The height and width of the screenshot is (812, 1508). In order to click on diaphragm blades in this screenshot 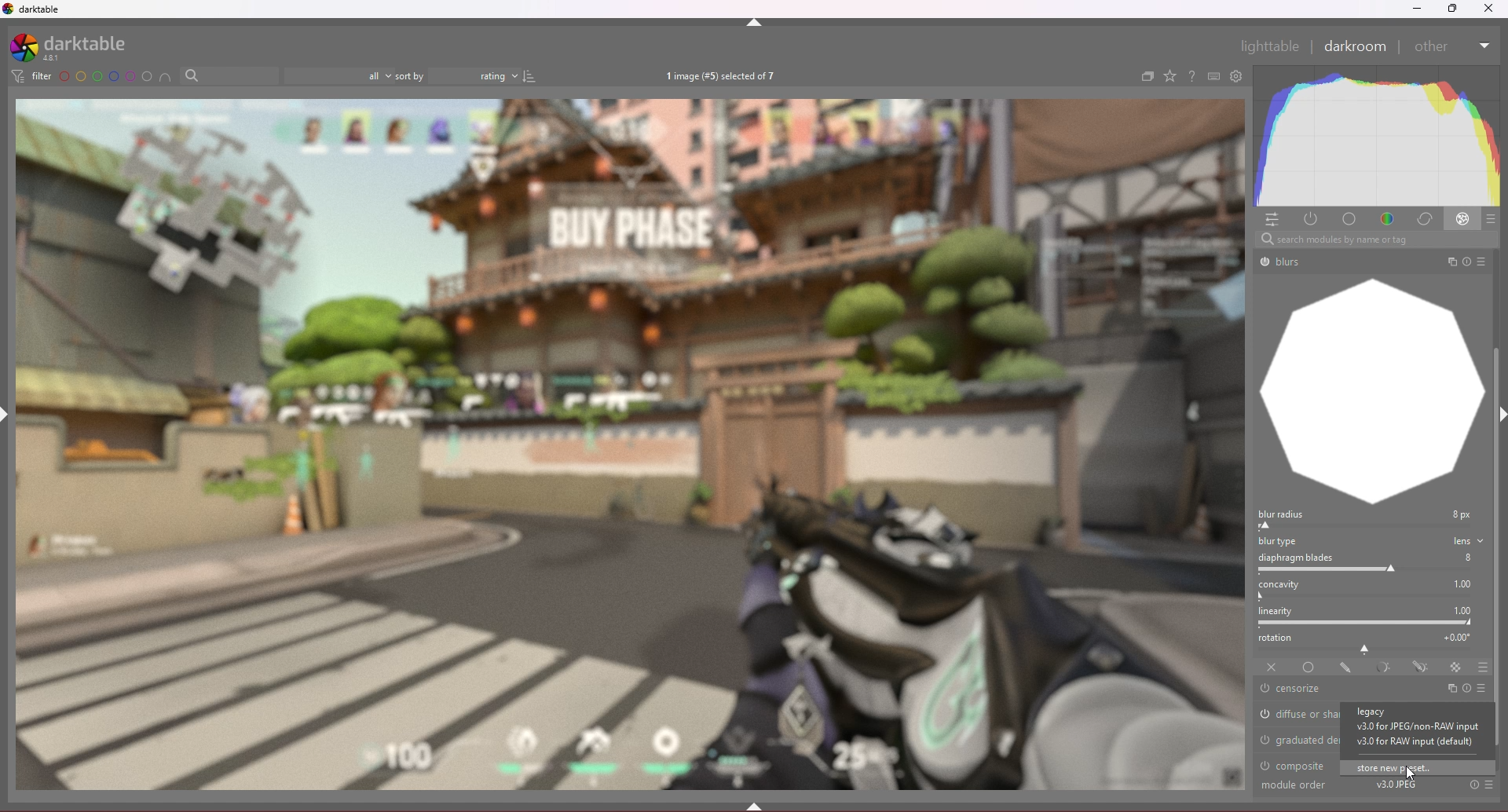, I will do `click(1370, 563)`.